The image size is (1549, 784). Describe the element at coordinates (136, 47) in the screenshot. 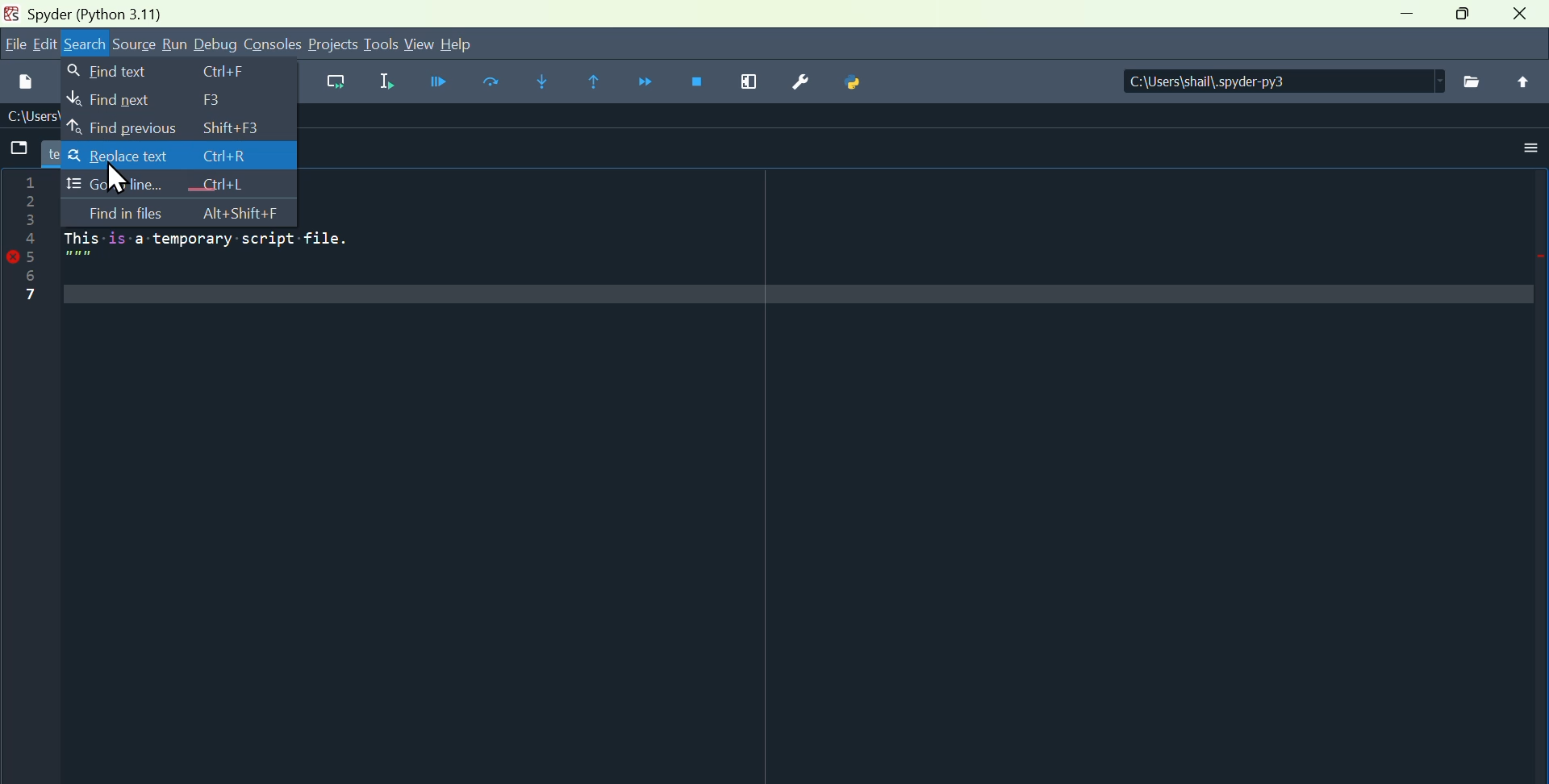

I see `Source` at that location.